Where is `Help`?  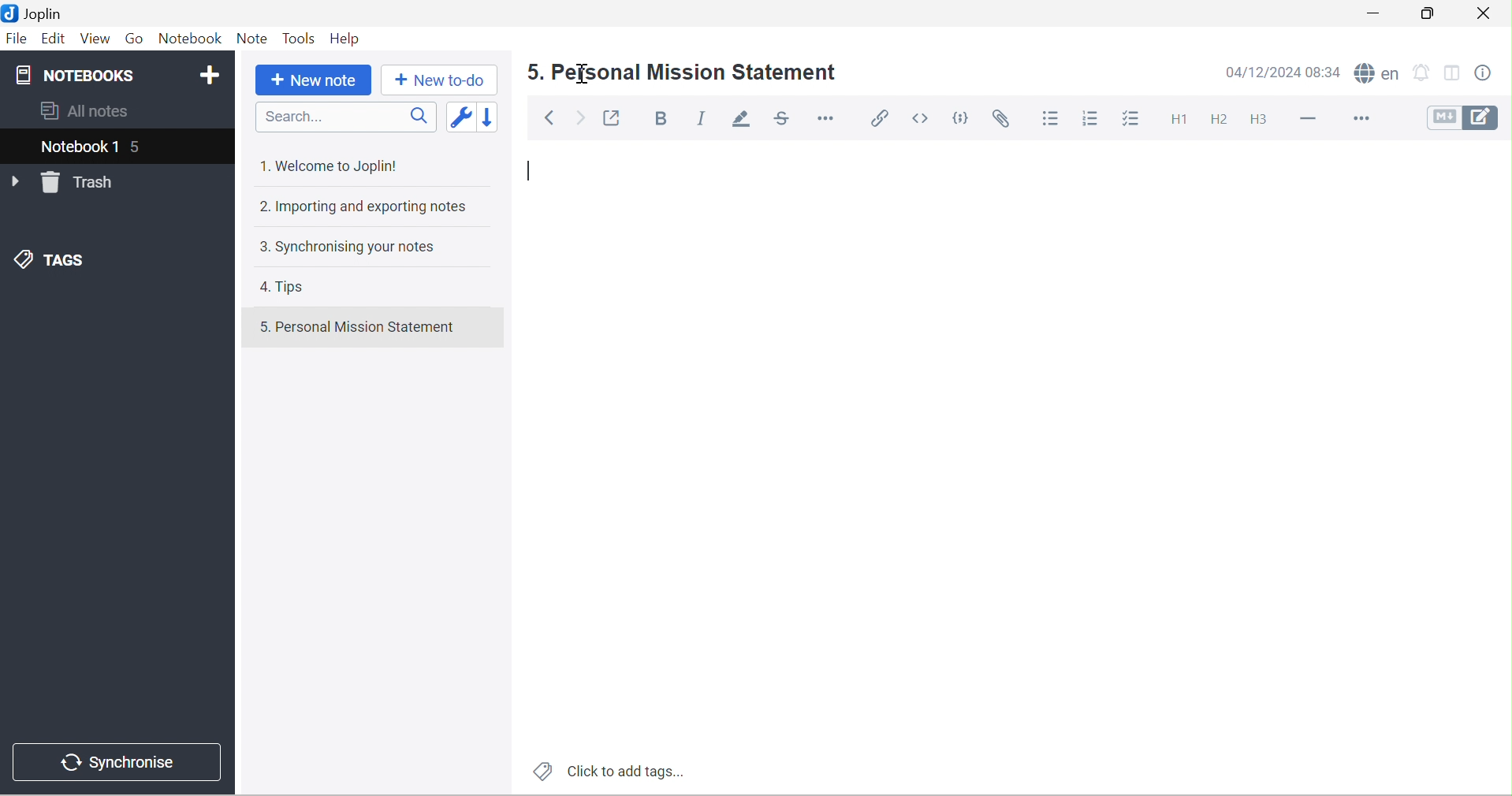
Help is located at coordinates (346, 39).